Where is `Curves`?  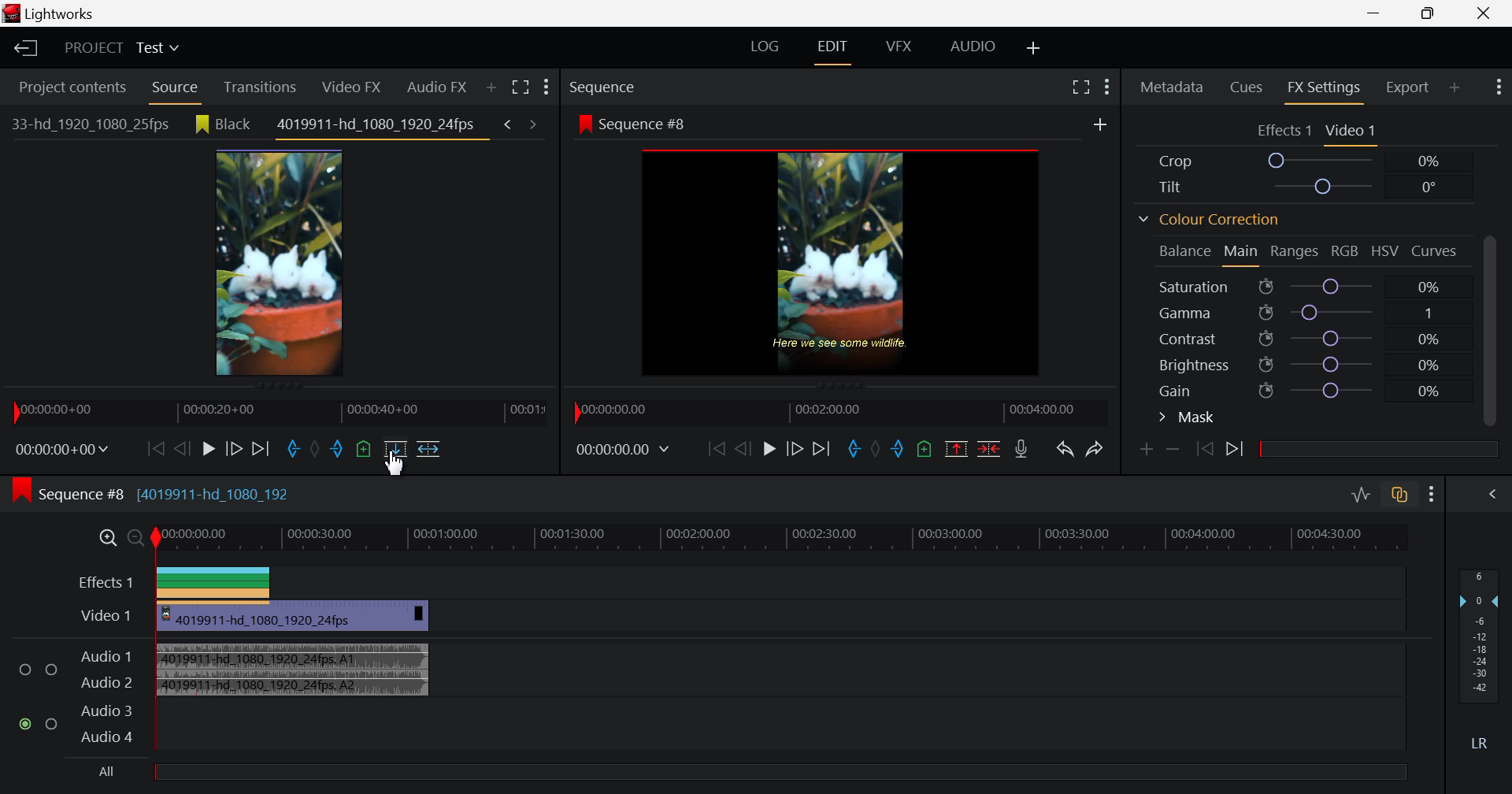 Curves is located at coordinates (1438, 252).